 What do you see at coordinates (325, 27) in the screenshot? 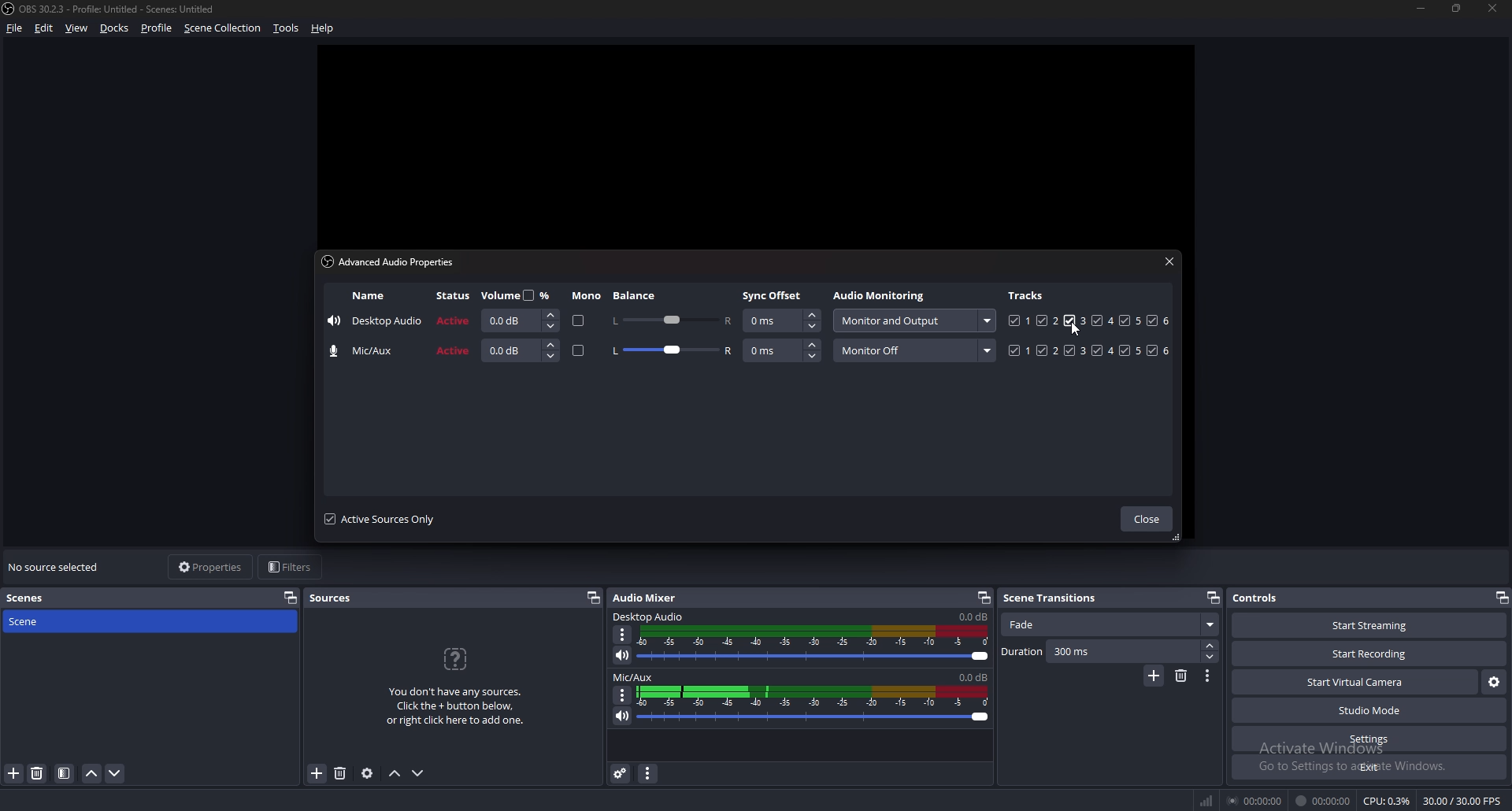
I see `help` at bounding box center [325, 27].